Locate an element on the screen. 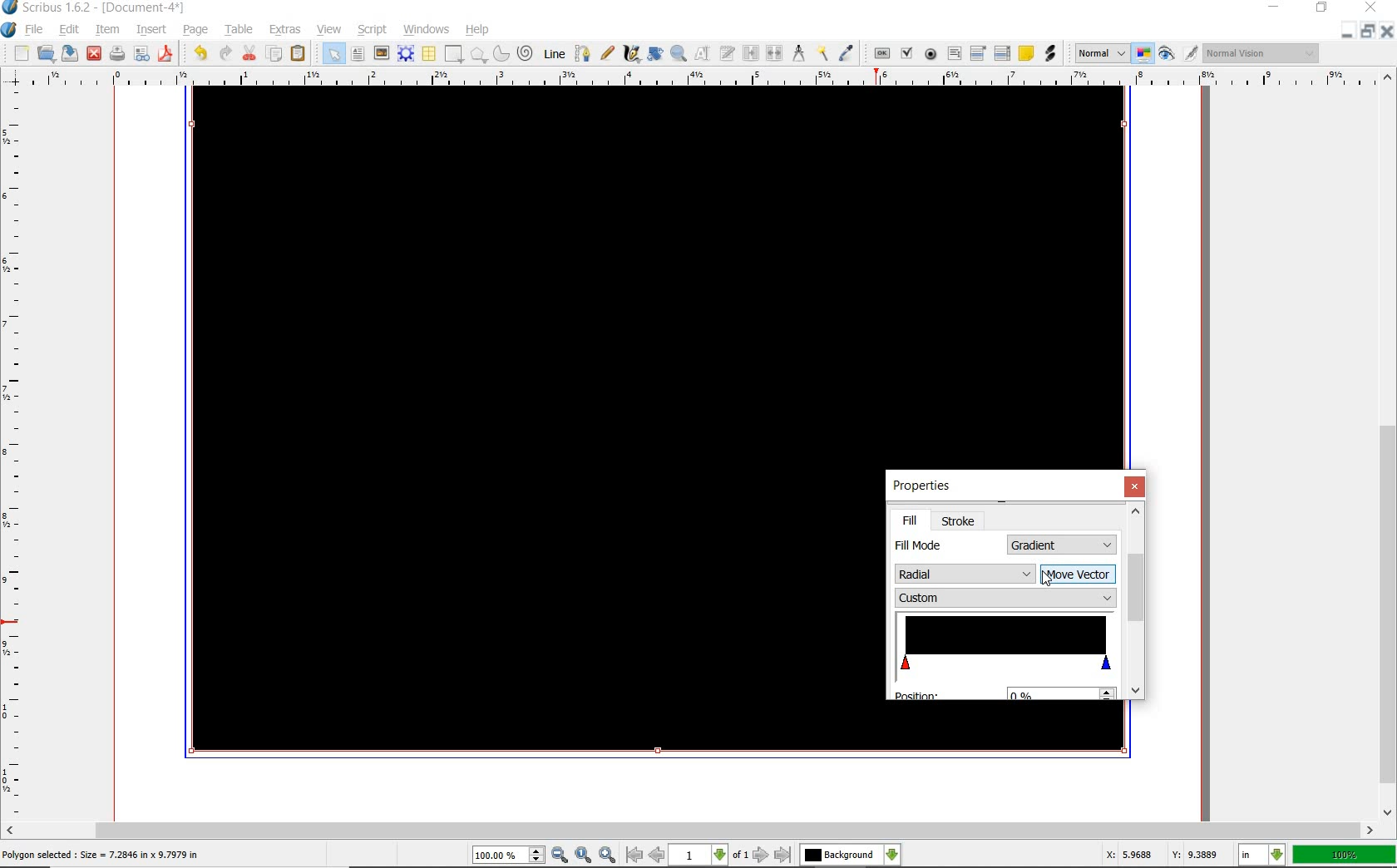 This screenshot has height=868, width=1397. arc is located at coordinates (501, 52).